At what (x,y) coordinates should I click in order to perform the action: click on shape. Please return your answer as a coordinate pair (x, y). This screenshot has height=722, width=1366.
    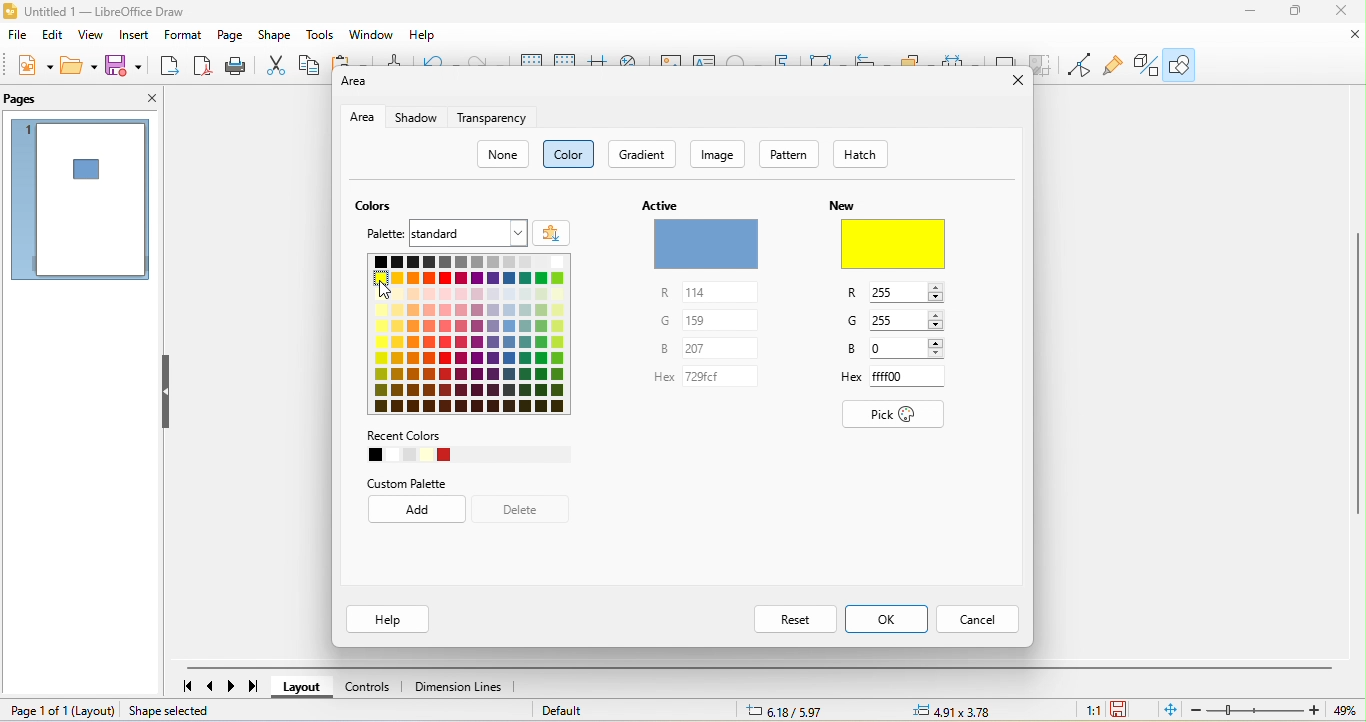
    Looking at the image, I should click on (278, 37).